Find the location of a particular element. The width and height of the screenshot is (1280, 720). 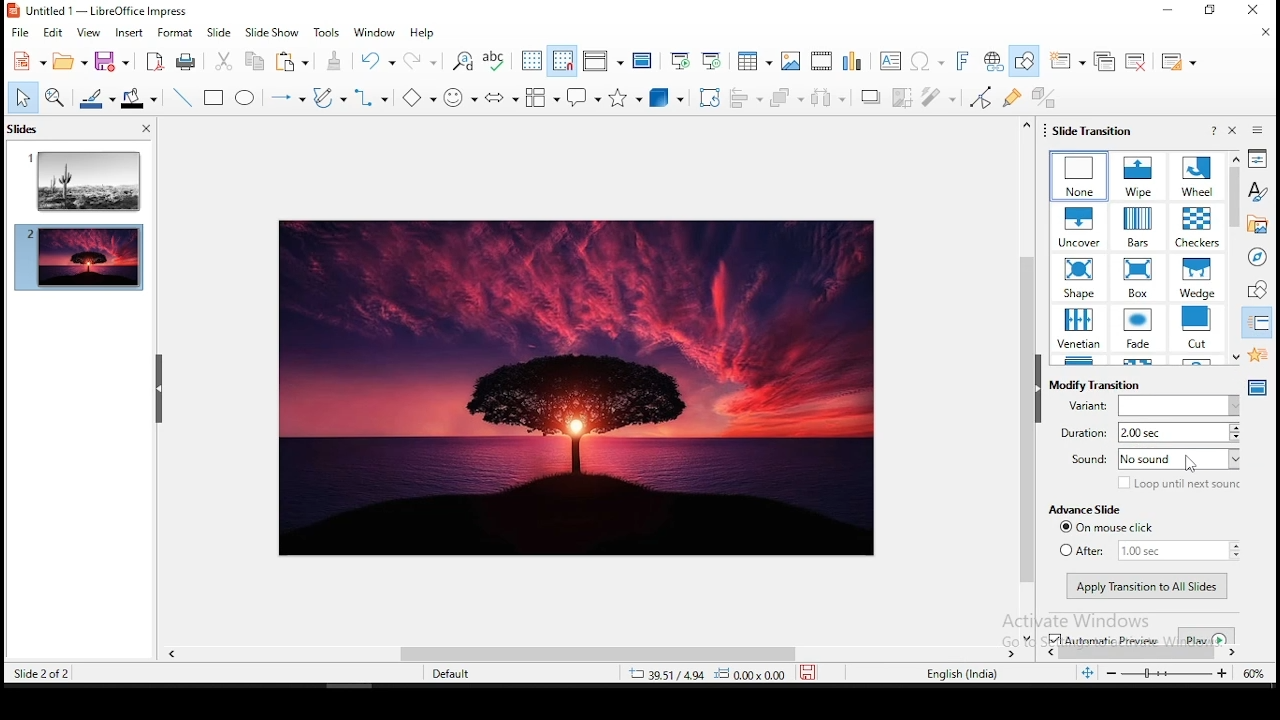

scroll bar is located at coordinates (1027, 380).